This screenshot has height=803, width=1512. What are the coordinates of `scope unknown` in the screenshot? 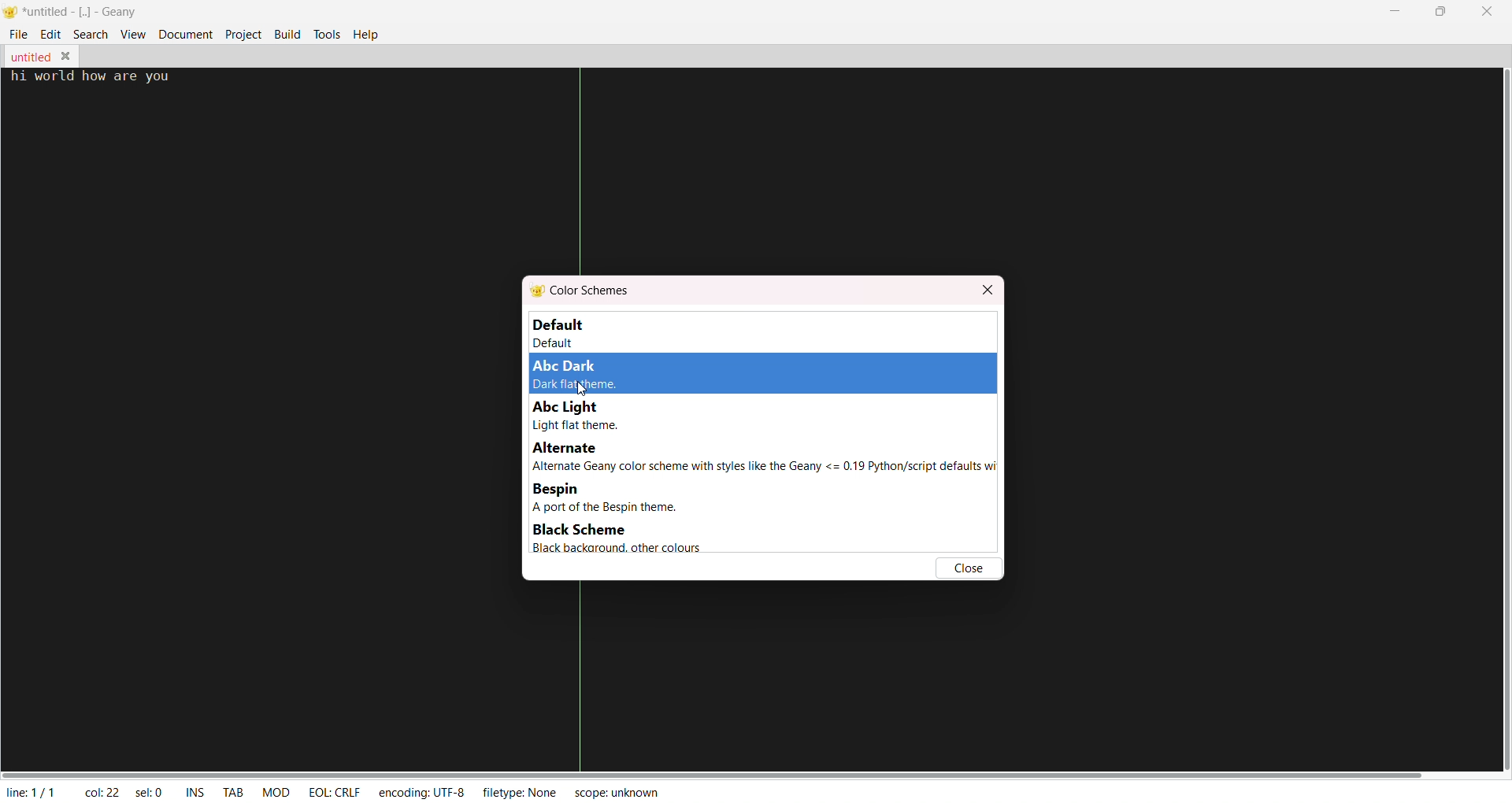 It's located at (612, 791).